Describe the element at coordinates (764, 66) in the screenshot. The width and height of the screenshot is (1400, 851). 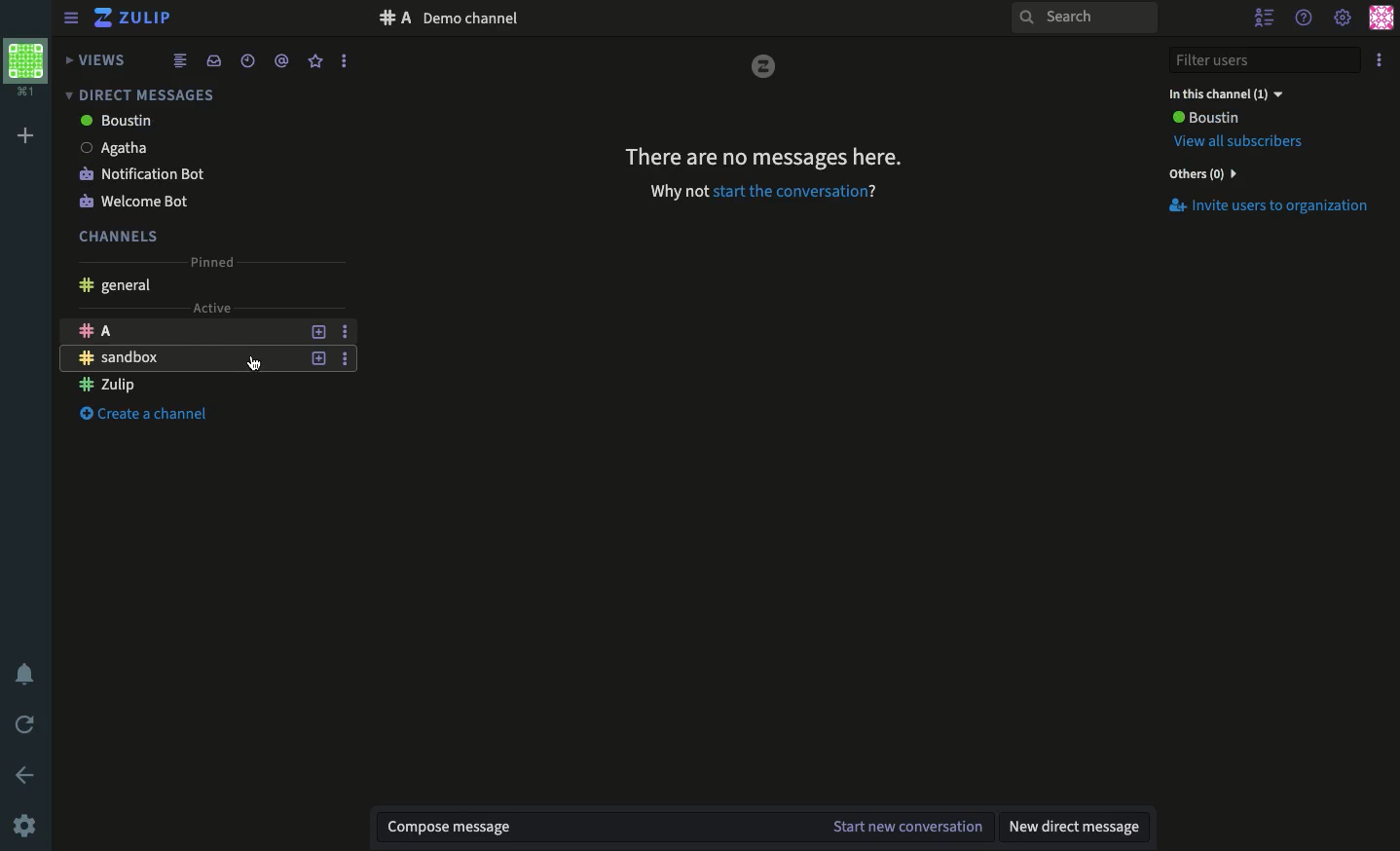
I see `zulip logo` at that location.